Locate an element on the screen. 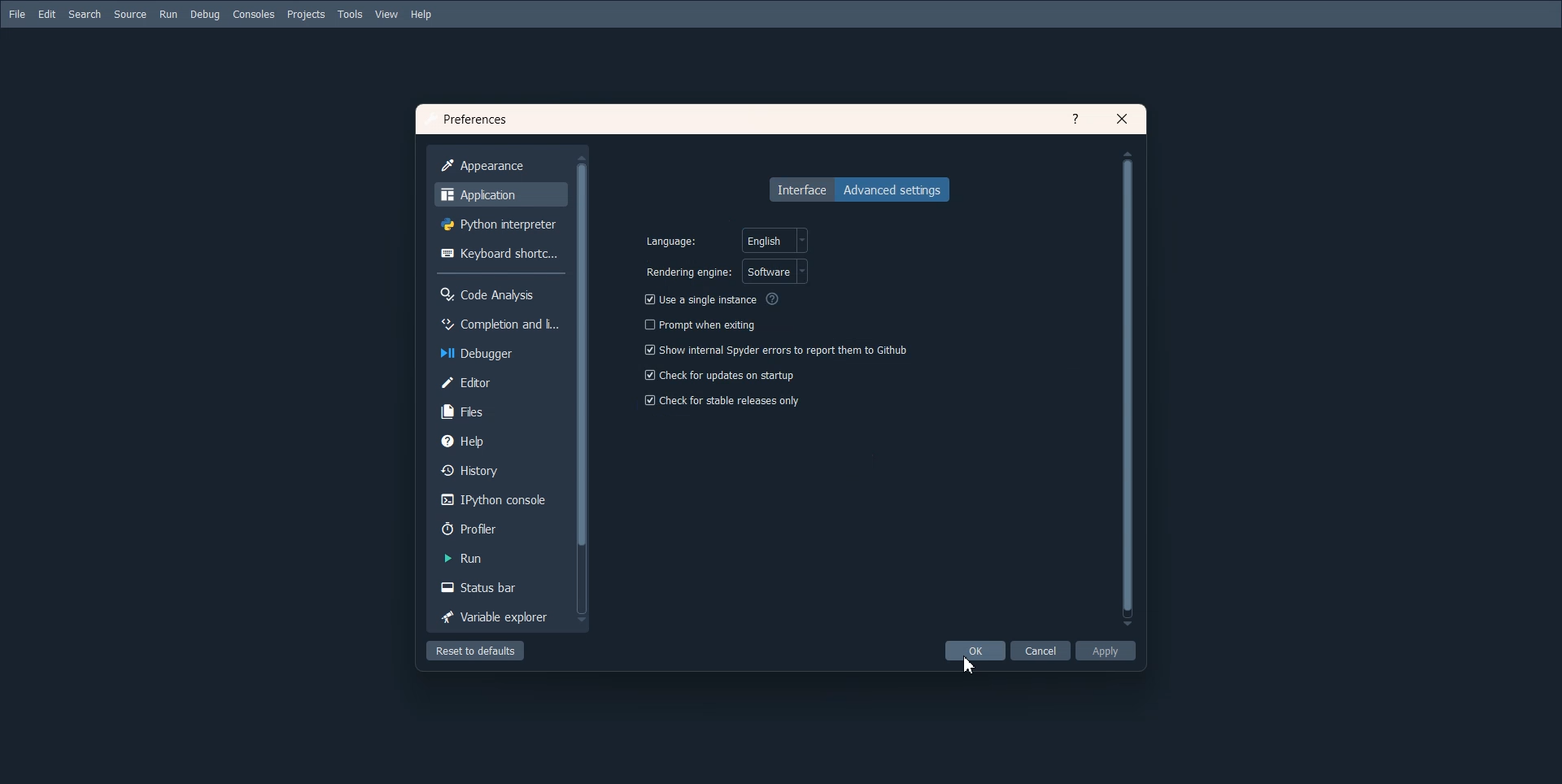 Image resolution: width=1562 pixels, height=784 pixels. Prompt when exiting  is located at coordinates (700, 324).